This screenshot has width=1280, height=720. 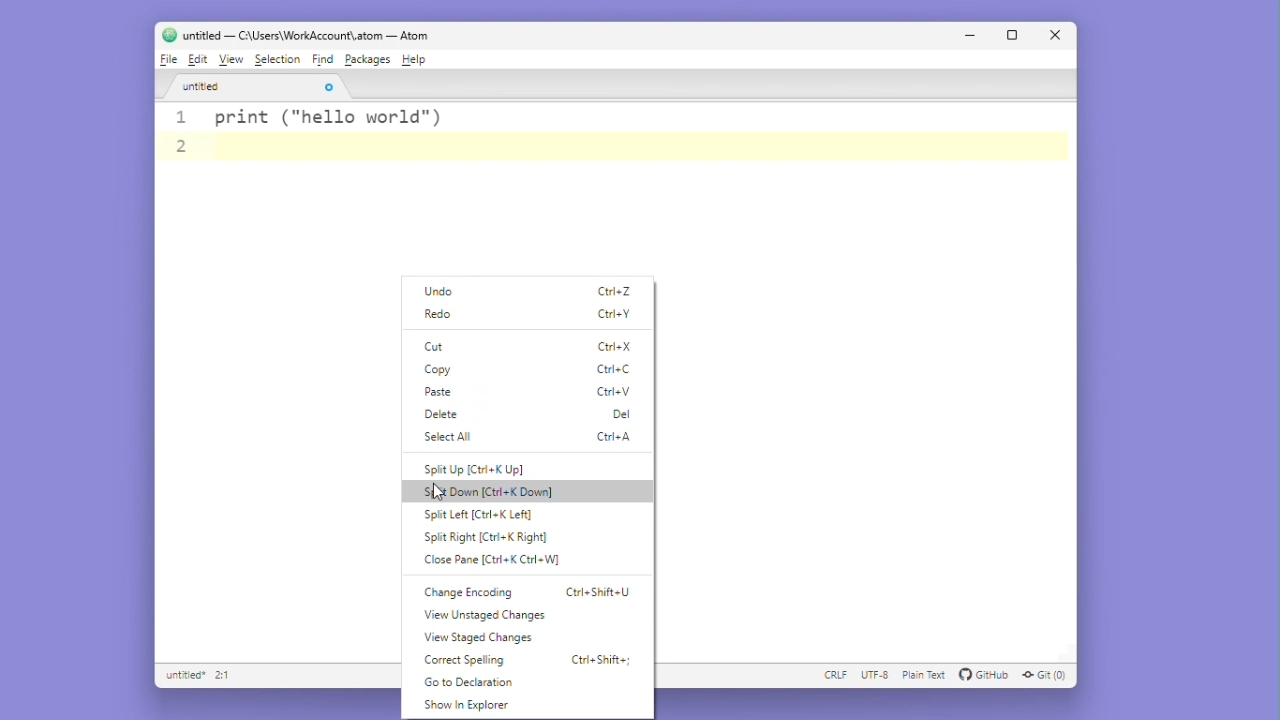 I want to click on ctrl+A, so click(x=620, y=439).